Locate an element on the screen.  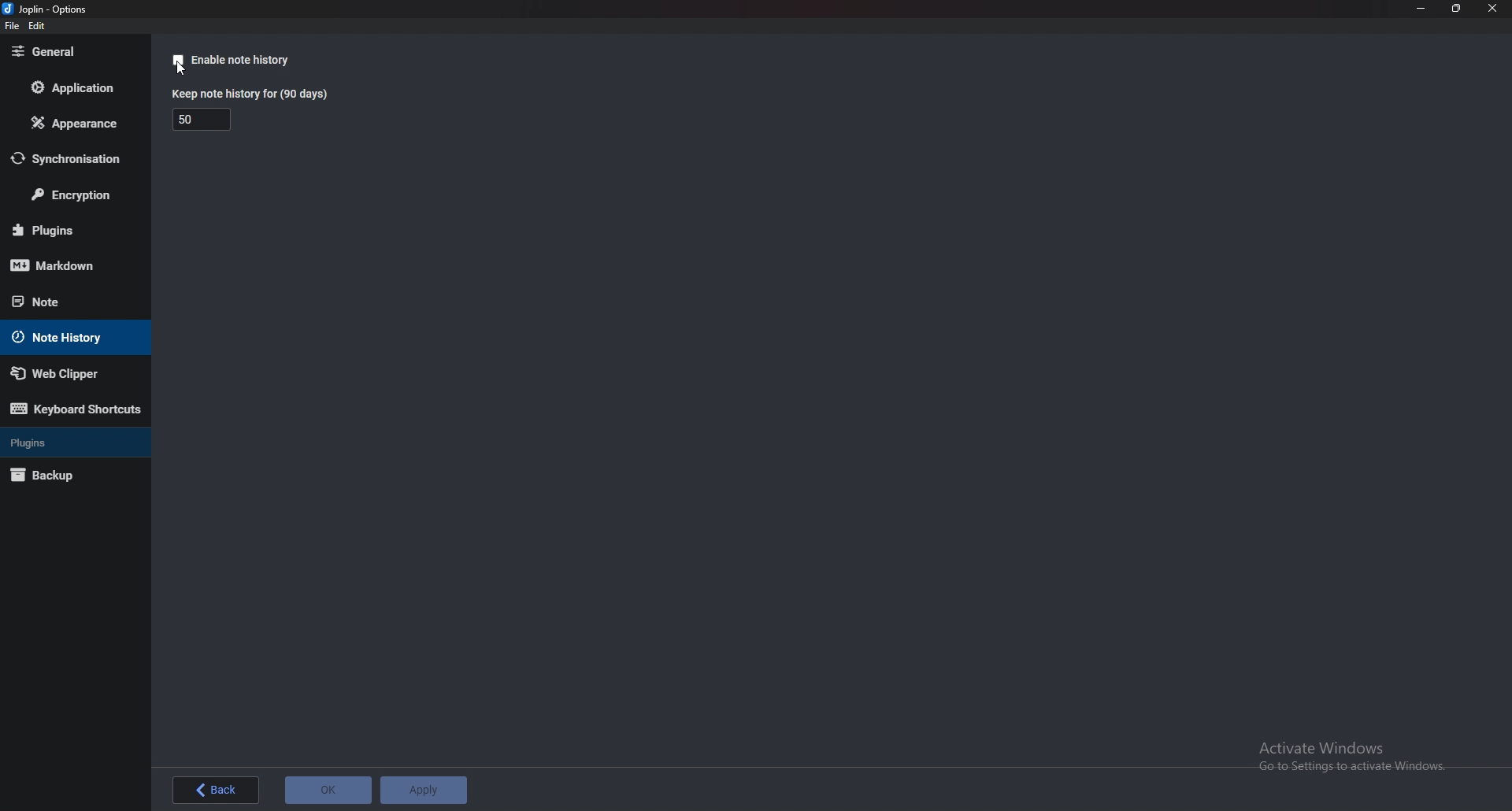
Enable note history is located at coordinates (240, 59).